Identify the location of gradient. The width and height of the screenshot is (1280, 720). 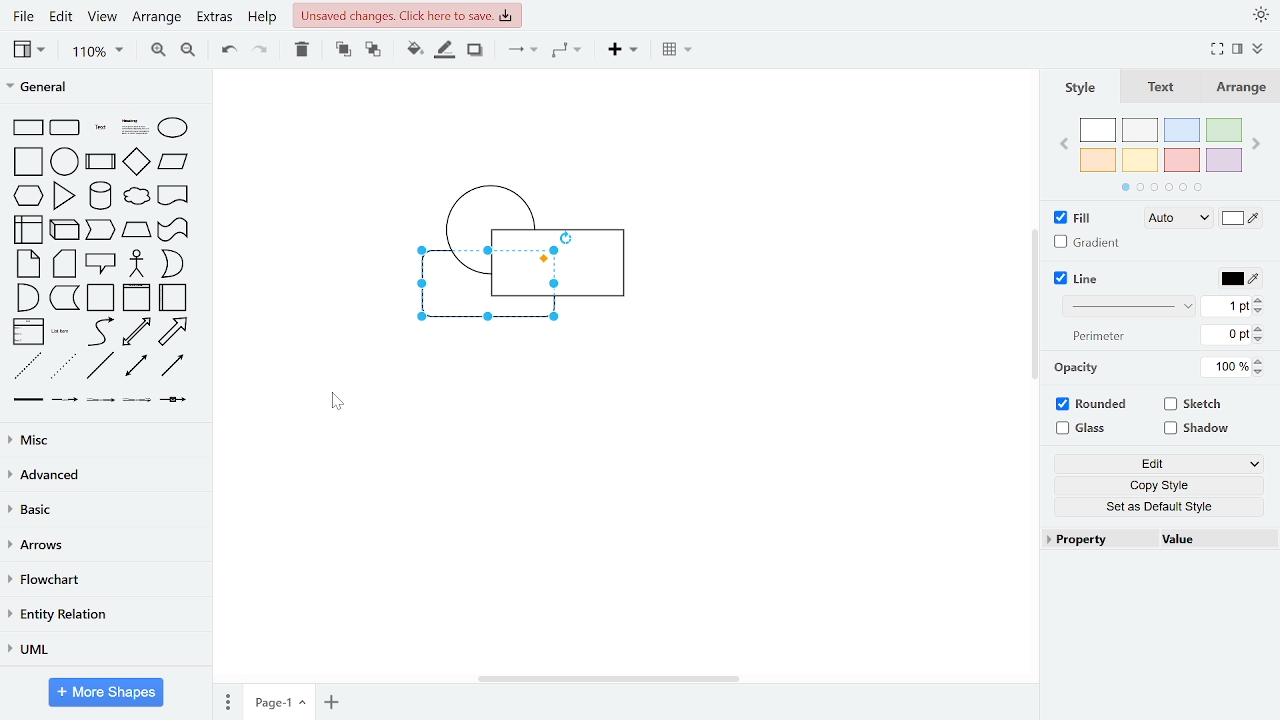
(1086, 242).